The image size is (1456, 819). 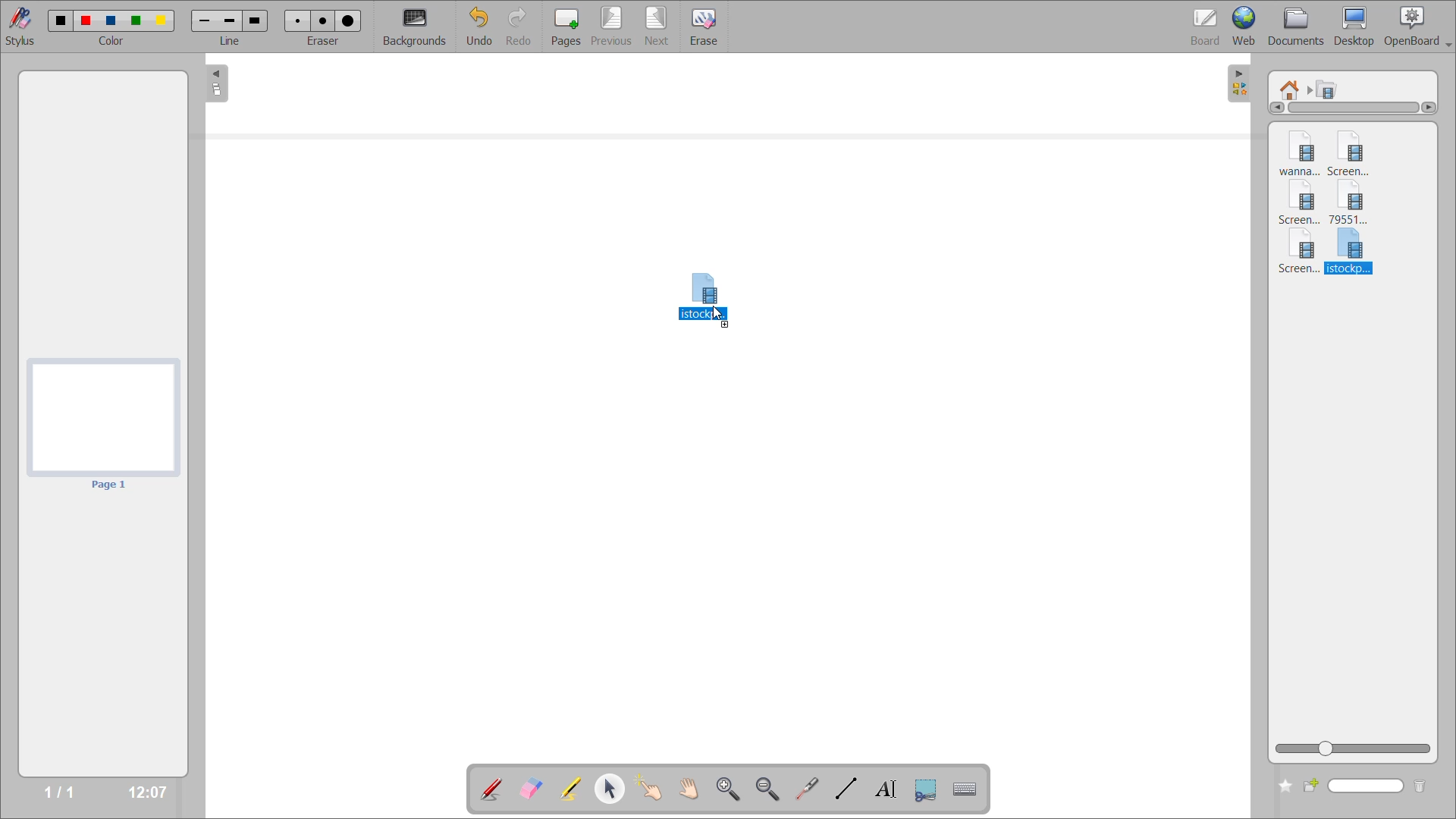 I want to click on stylus, so click(x=24, y=27).